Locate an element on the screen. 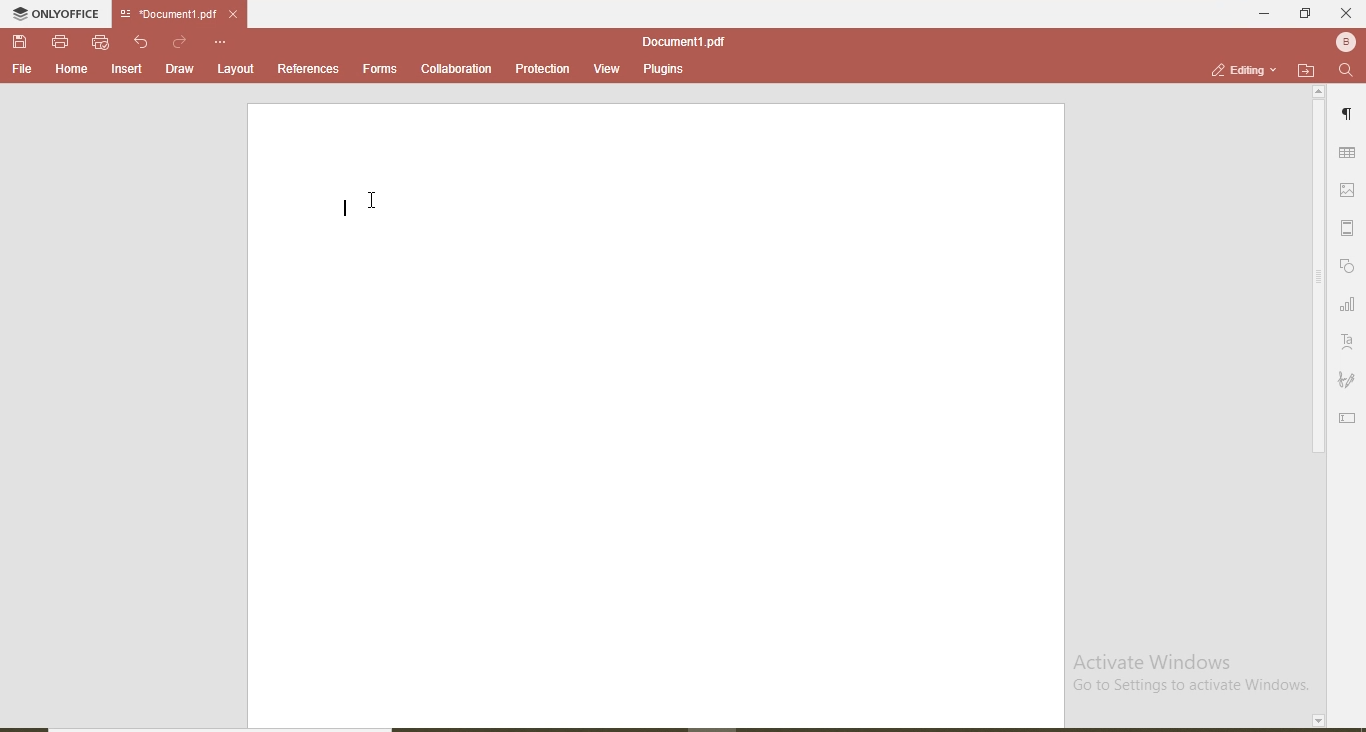 This screenshot has height=732, width=1366. edit text is located at coordinates (1350, 416).